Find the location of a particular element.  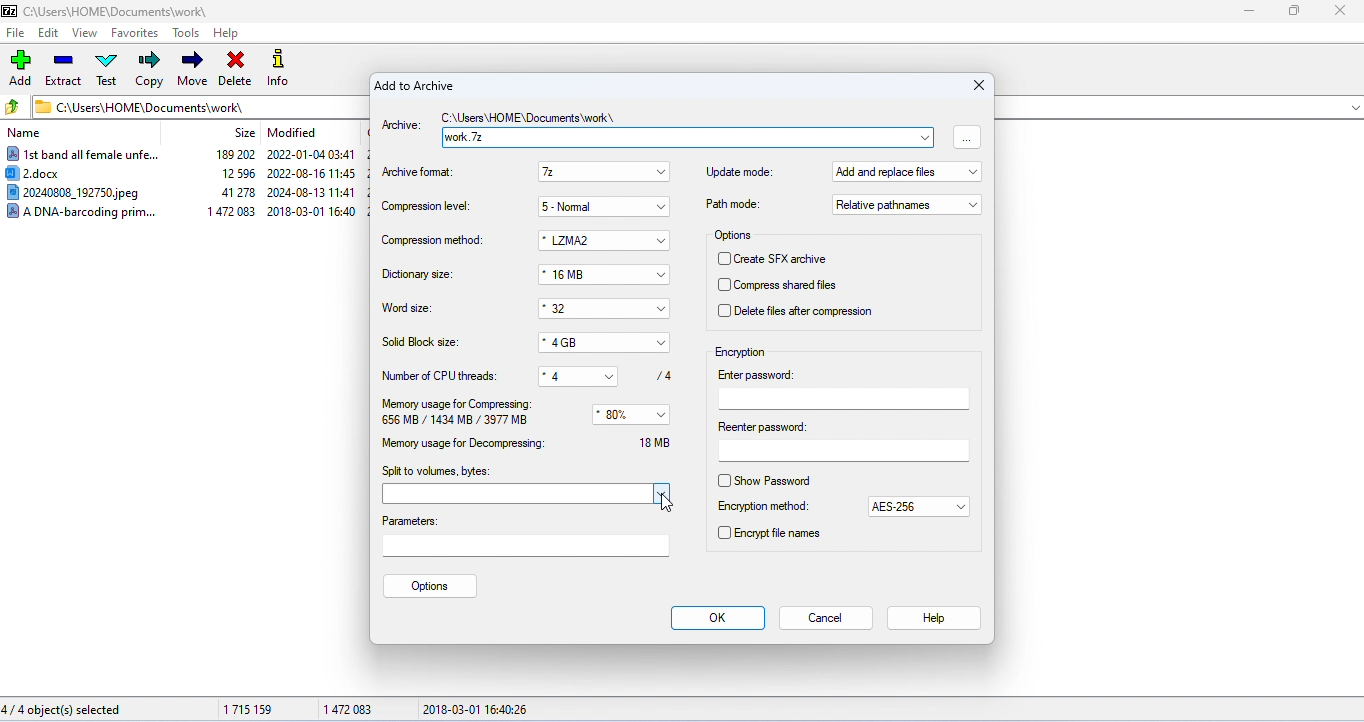

reenter password is located at coordinates (842, 442).